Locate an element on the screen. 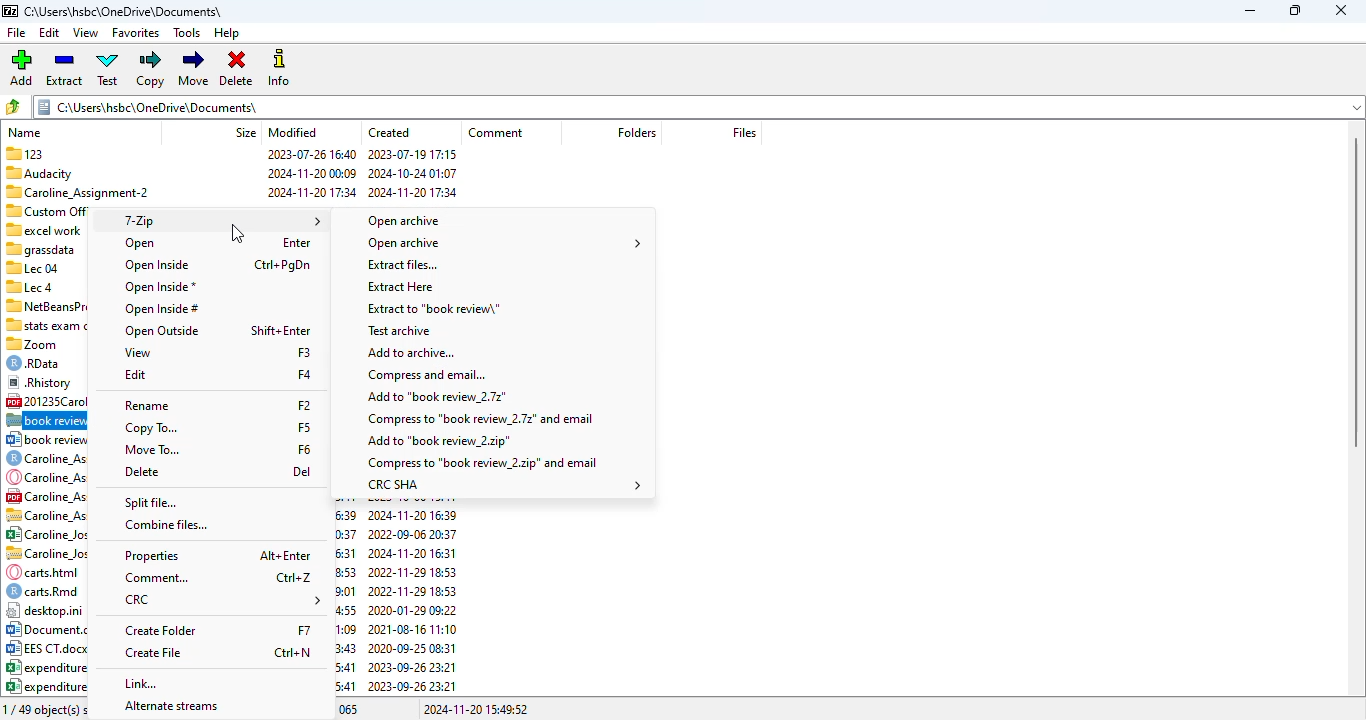 Image resolution: width=1366 pixels, height=720 pixels. created date & time is located at coordinates (395, 595).